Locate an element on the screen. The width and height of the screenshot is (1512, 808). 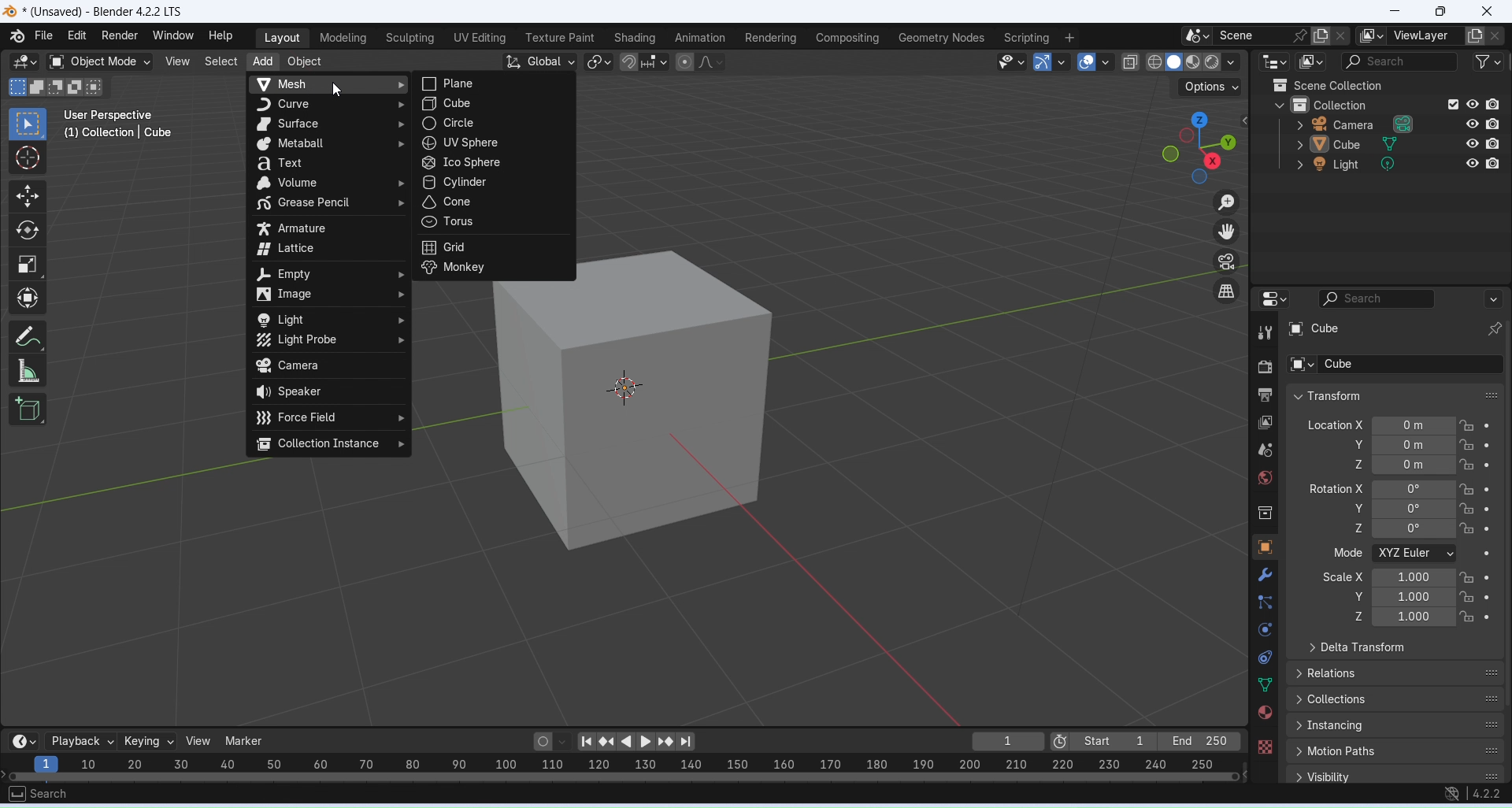
mesh is located at coordinates (328, 85).